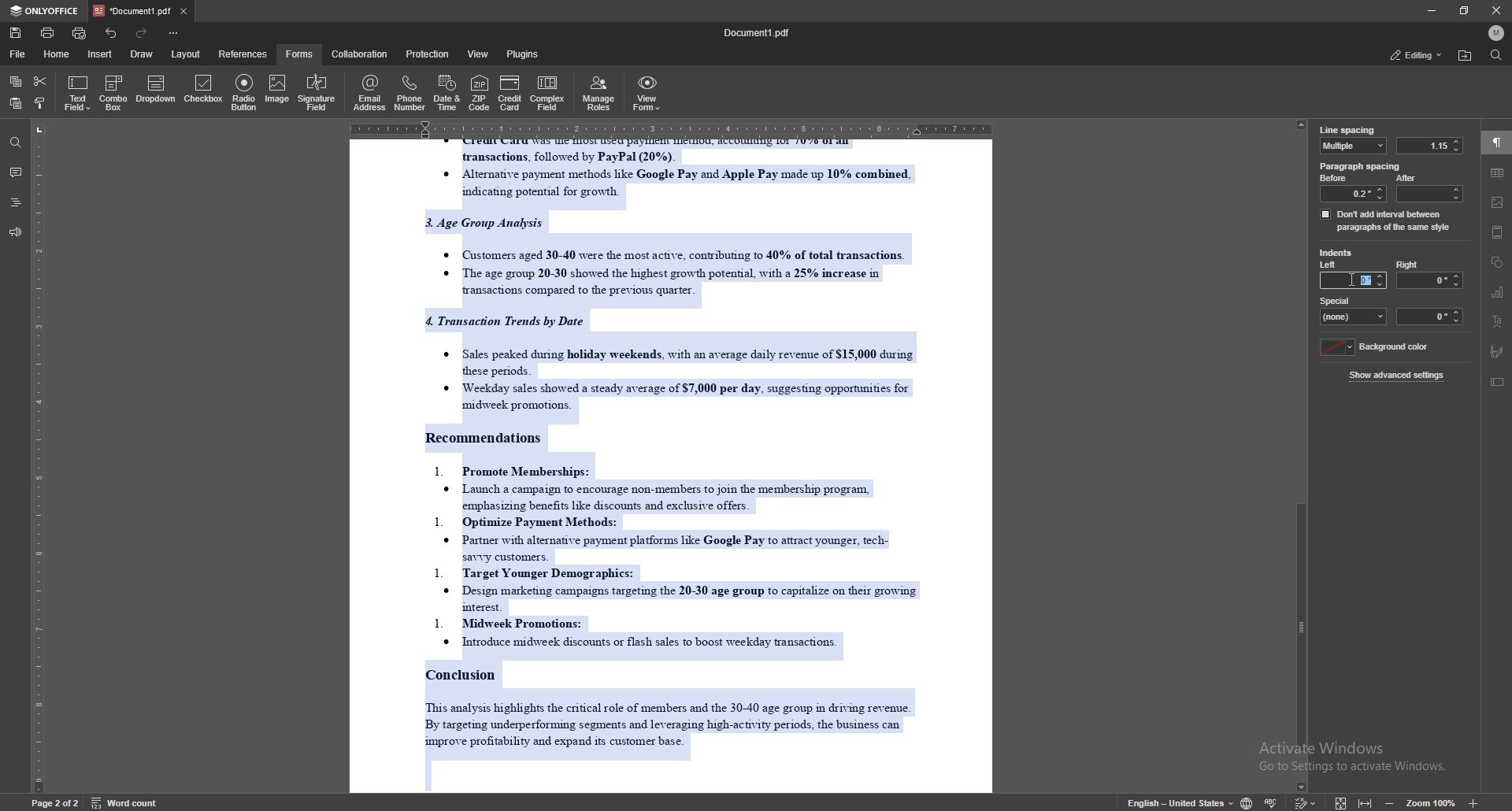 The width and height of the screenshot is (1512, 811). Describe the element at coordinates (133, 10) in the screenshot. I see `tab` at that location.